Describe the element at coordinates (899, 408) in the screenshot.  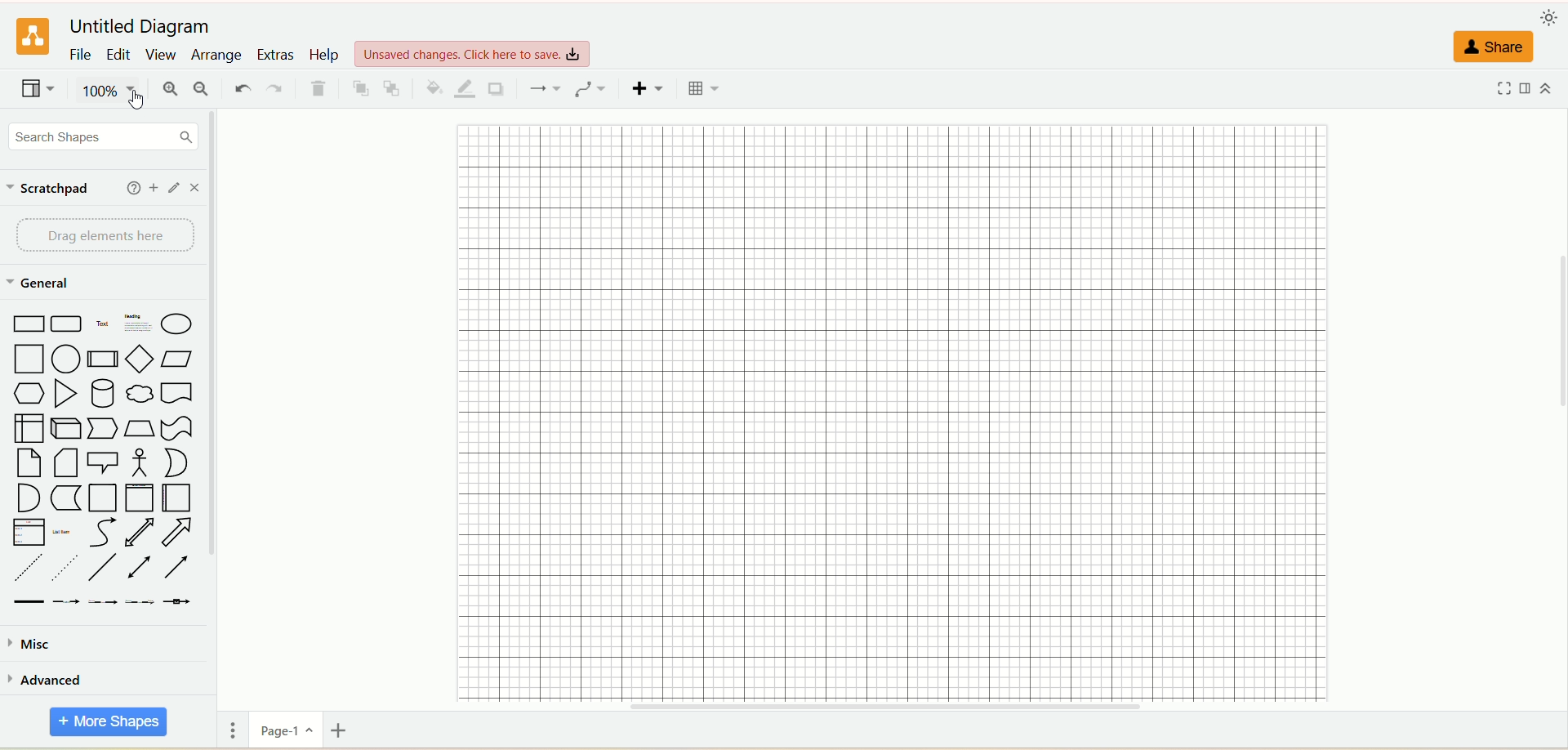
I see `canvas` at that location.